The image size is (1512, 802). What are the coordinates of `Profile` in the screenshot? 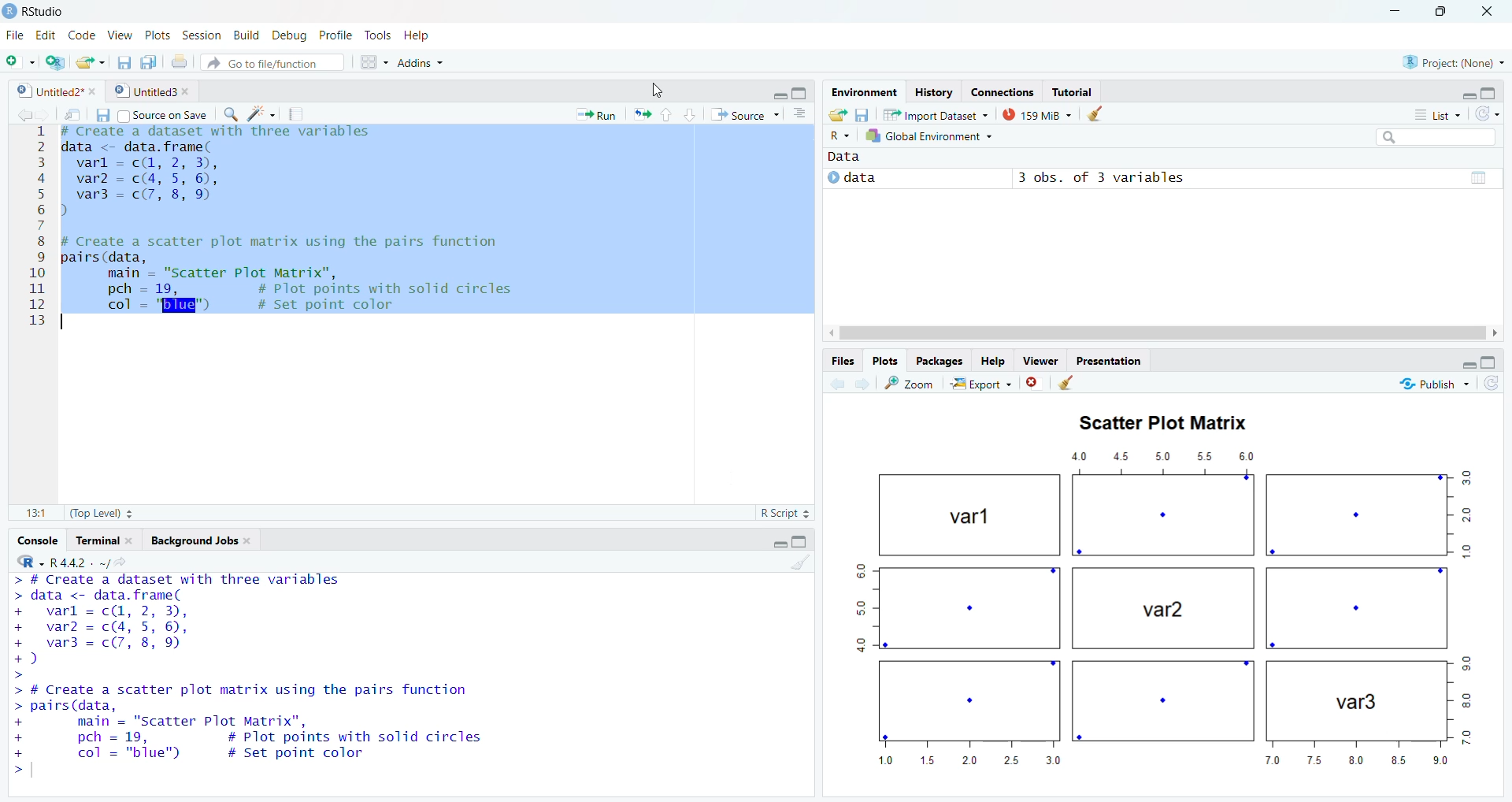 It's located at (337, 35).